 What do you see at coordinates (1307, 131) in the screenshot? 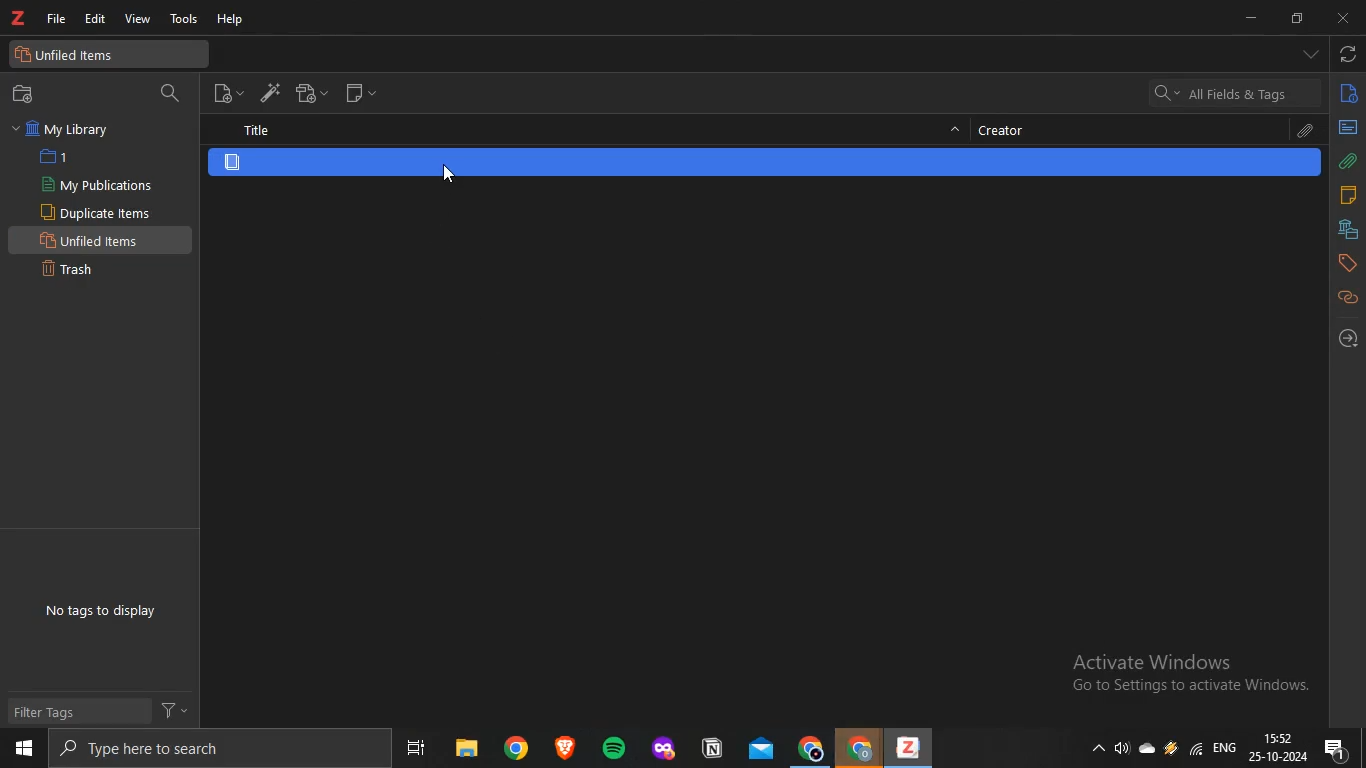
I see `attachment` at bounding box center [1307, 131].